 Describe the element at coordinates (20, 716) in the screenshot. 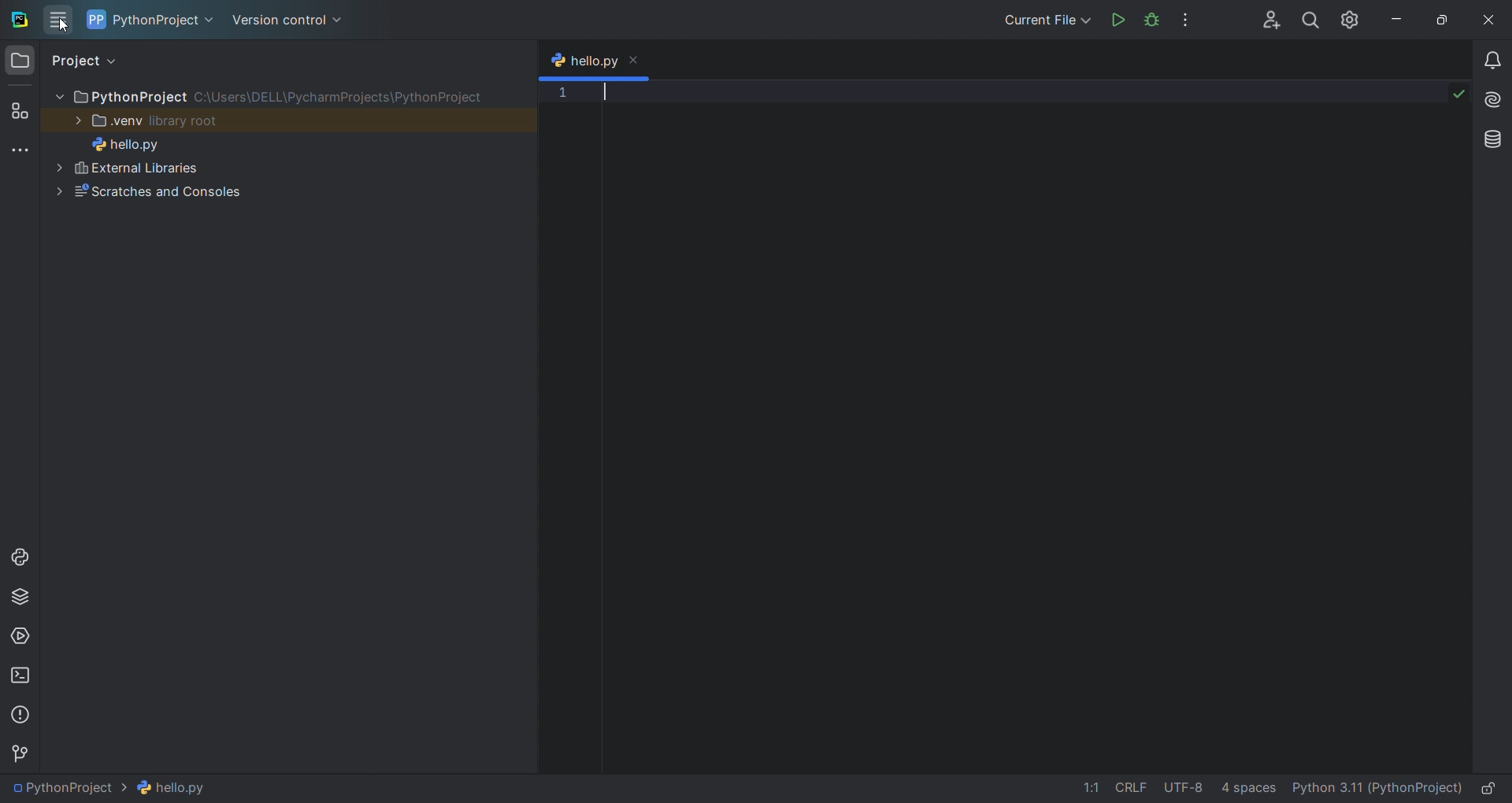

I see `problems` at that location.